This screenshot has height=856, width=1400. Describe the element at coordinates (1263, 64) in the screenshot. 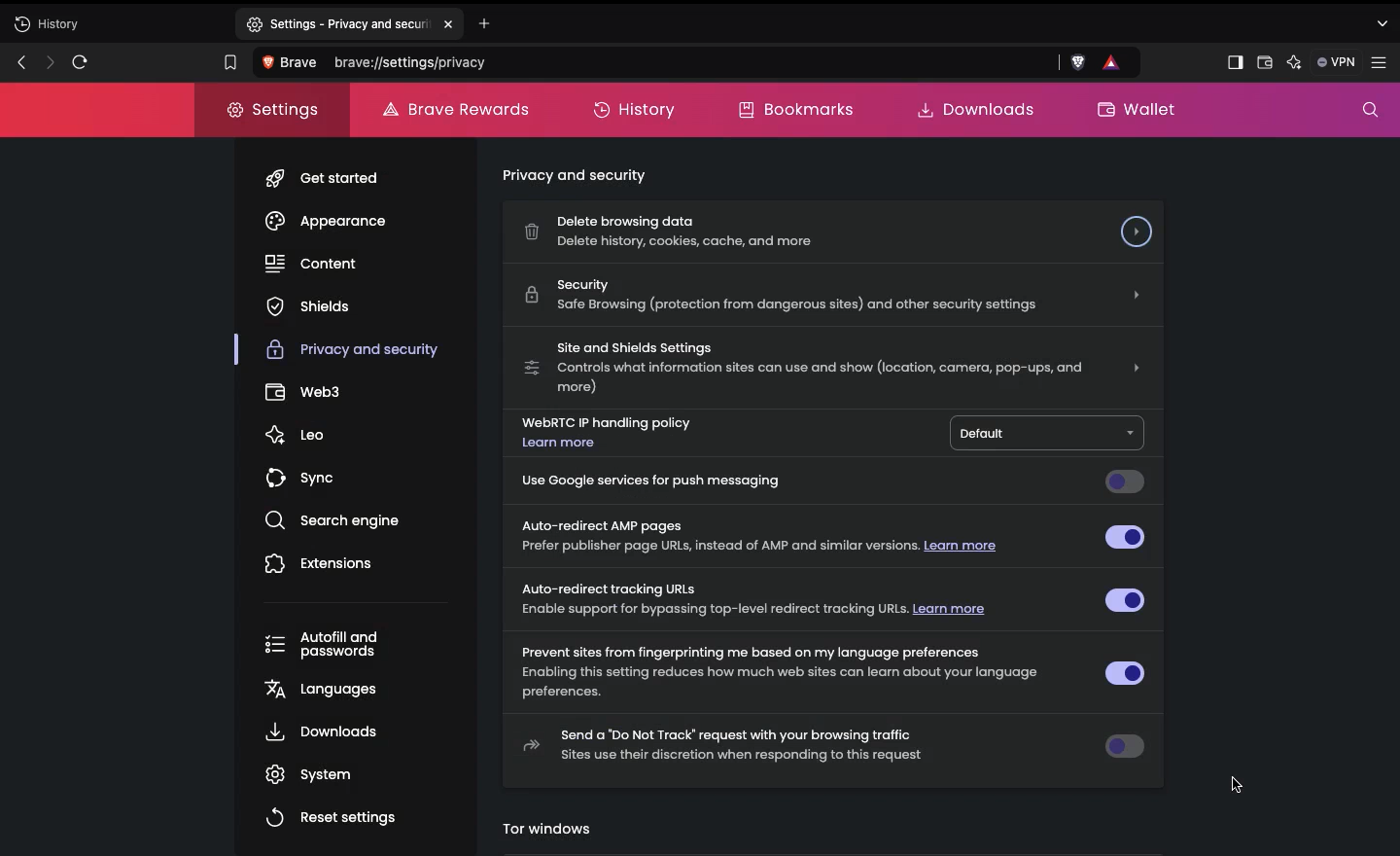

I see `Wallet` at that location.